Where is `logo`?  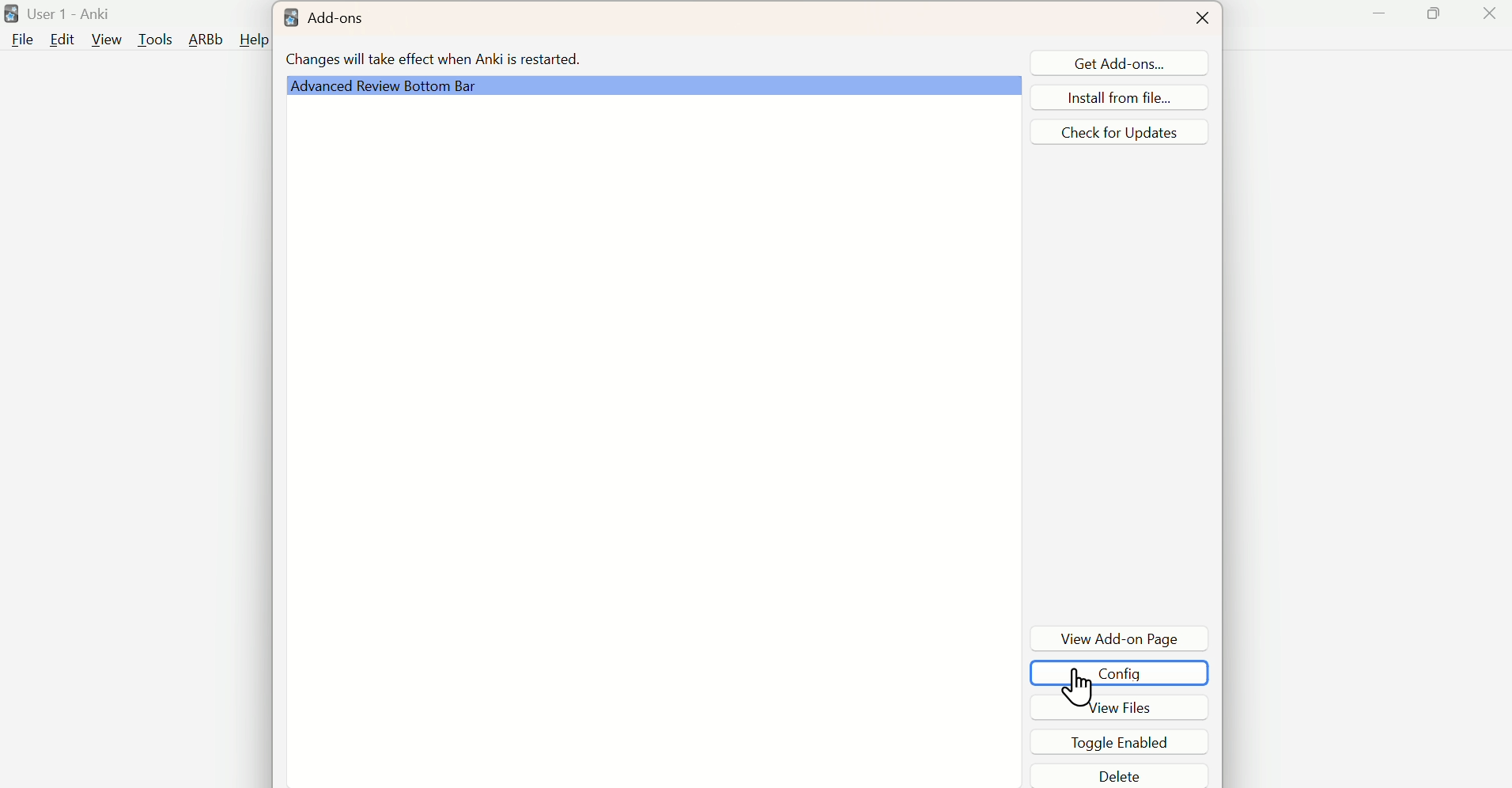
logo is located at coordinates (10, 14).